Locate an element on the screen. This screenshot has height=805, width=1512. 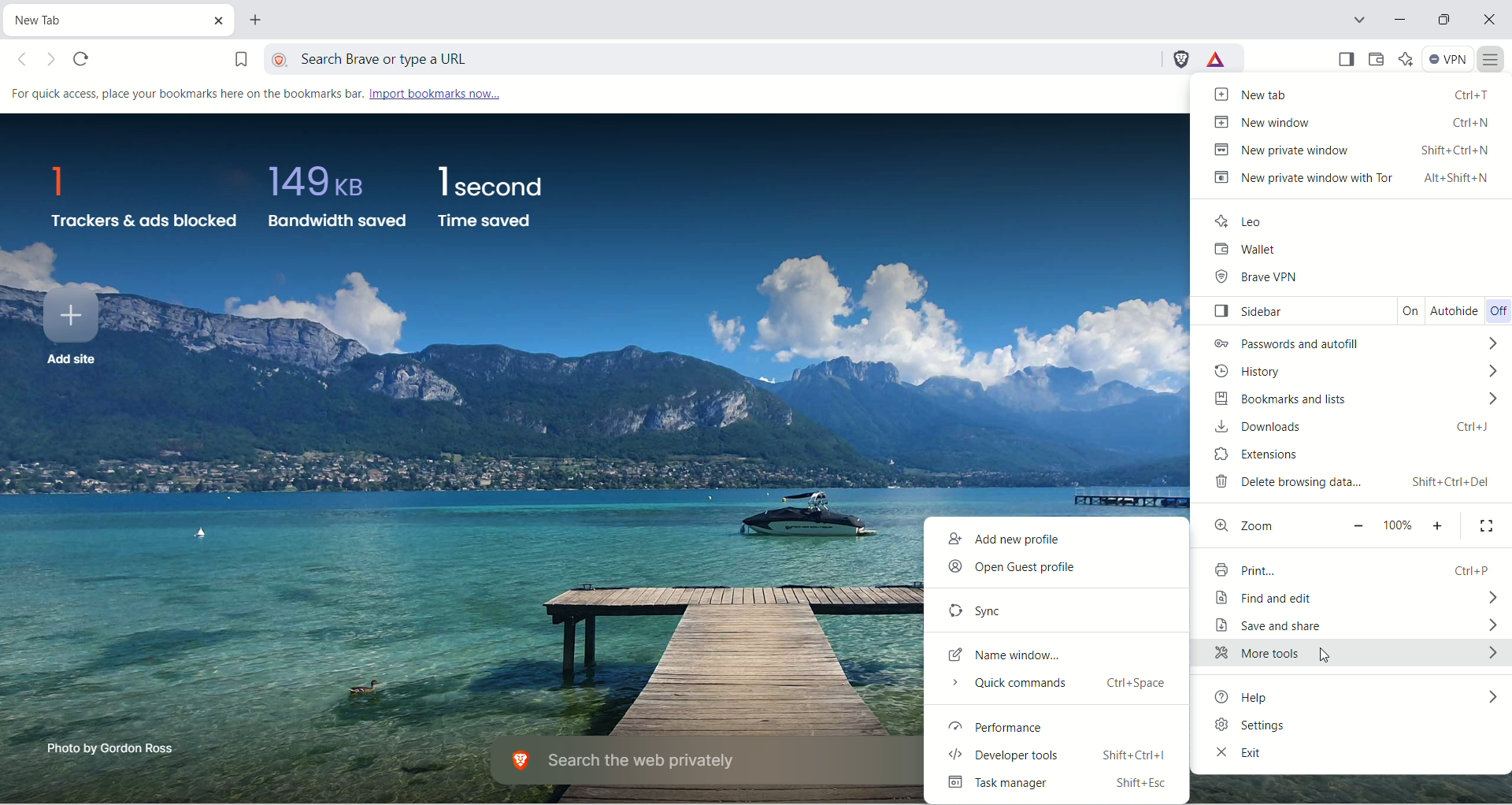
import bookmarks now is located at coordinates (434, 95).